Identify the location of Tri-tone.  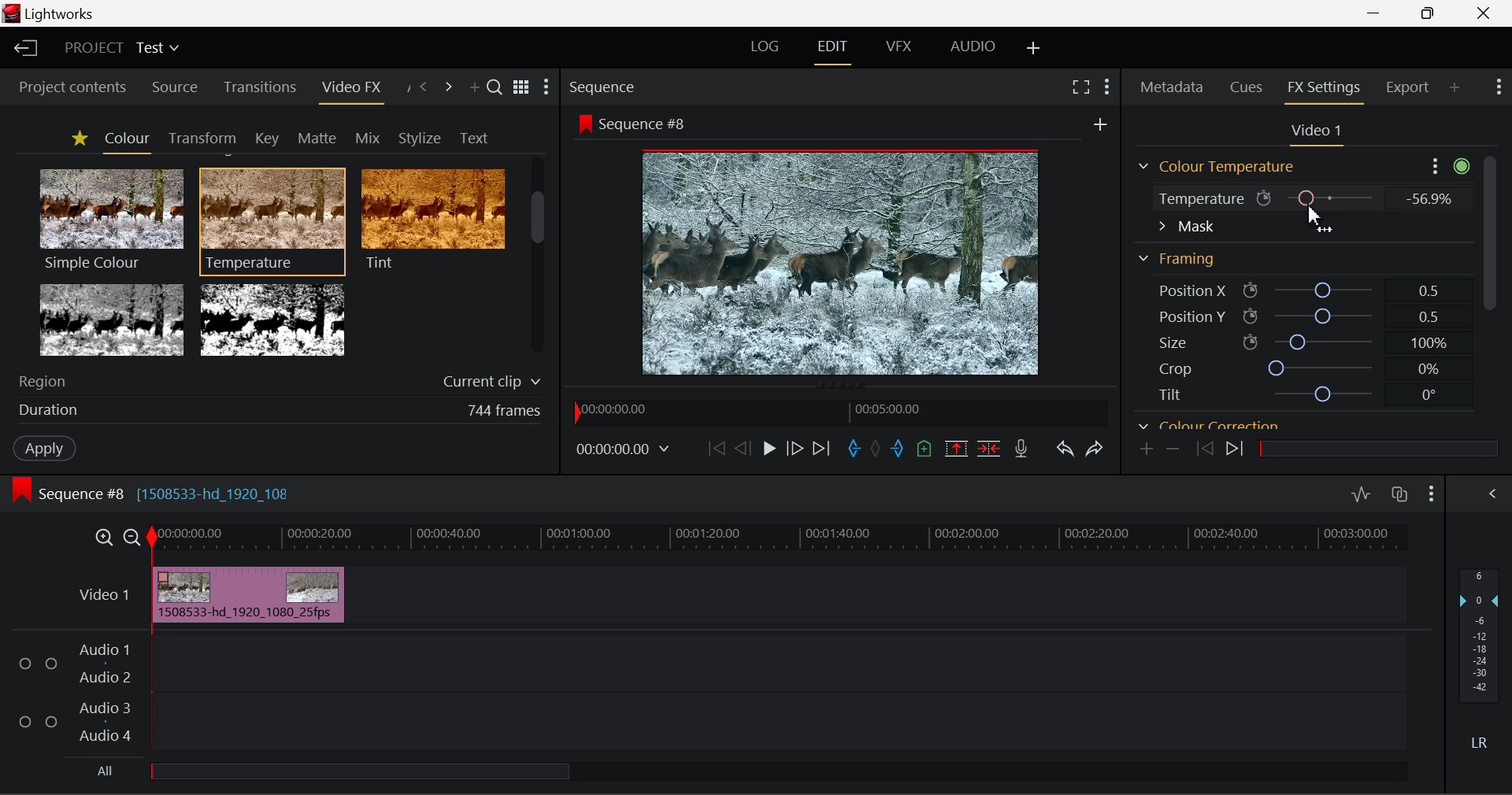
(113, 319).